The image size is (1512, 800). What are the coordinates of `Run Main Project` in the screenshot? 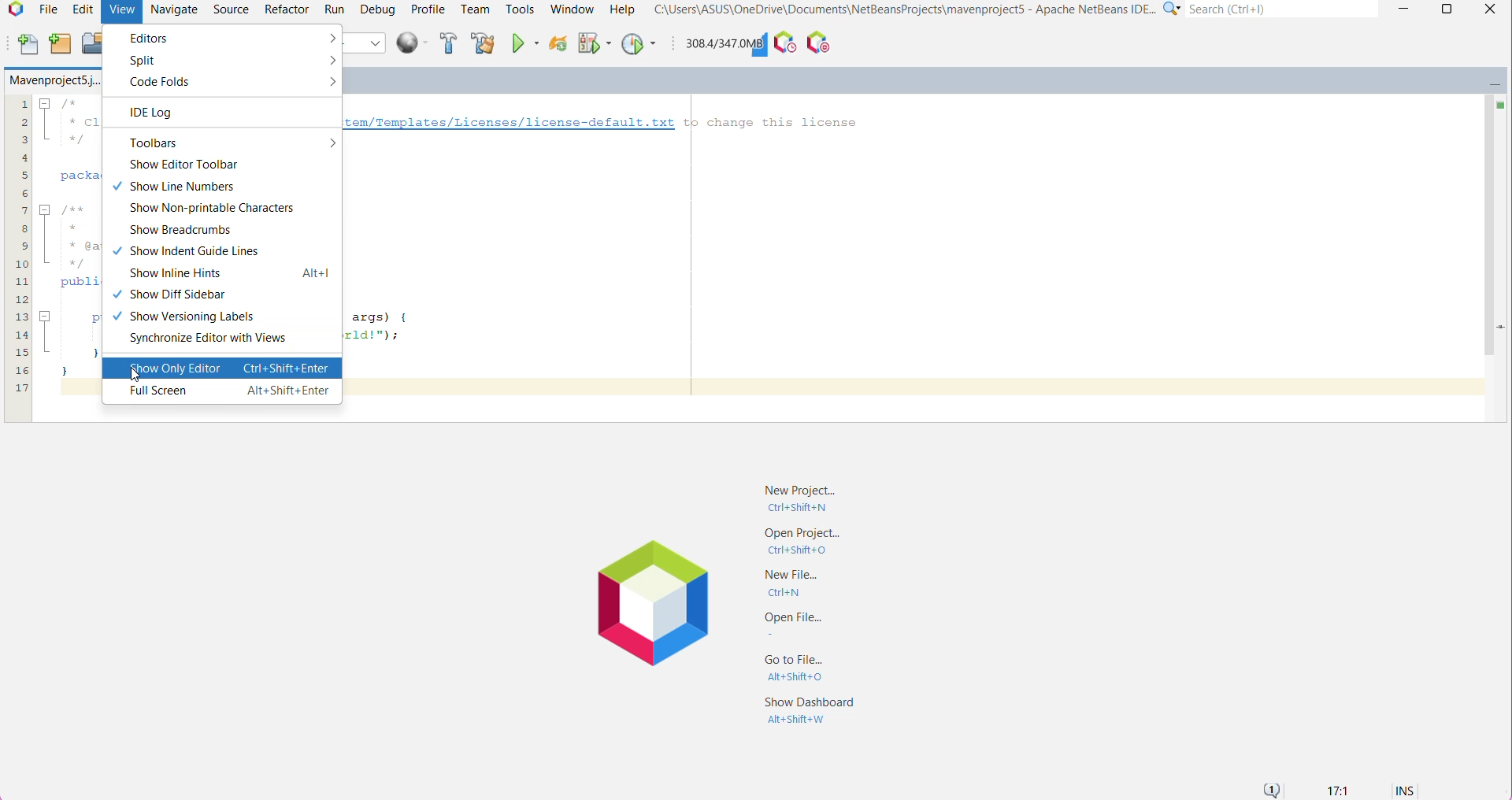 It's located at (526, 44).